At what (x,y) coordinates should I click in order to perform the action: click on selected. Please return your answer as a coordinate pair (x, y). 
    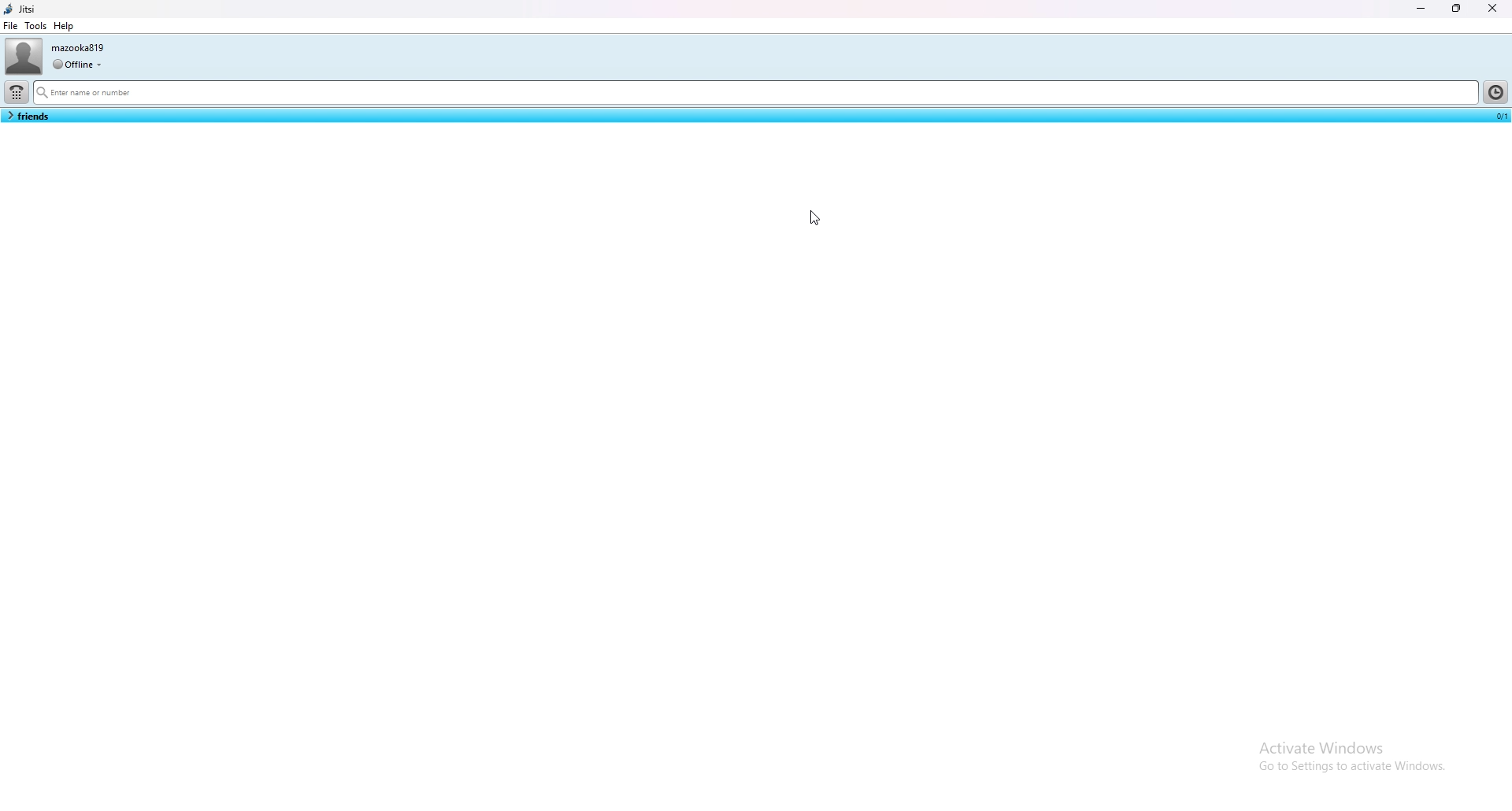
    Looking at the image, I should click on (1499, 115).